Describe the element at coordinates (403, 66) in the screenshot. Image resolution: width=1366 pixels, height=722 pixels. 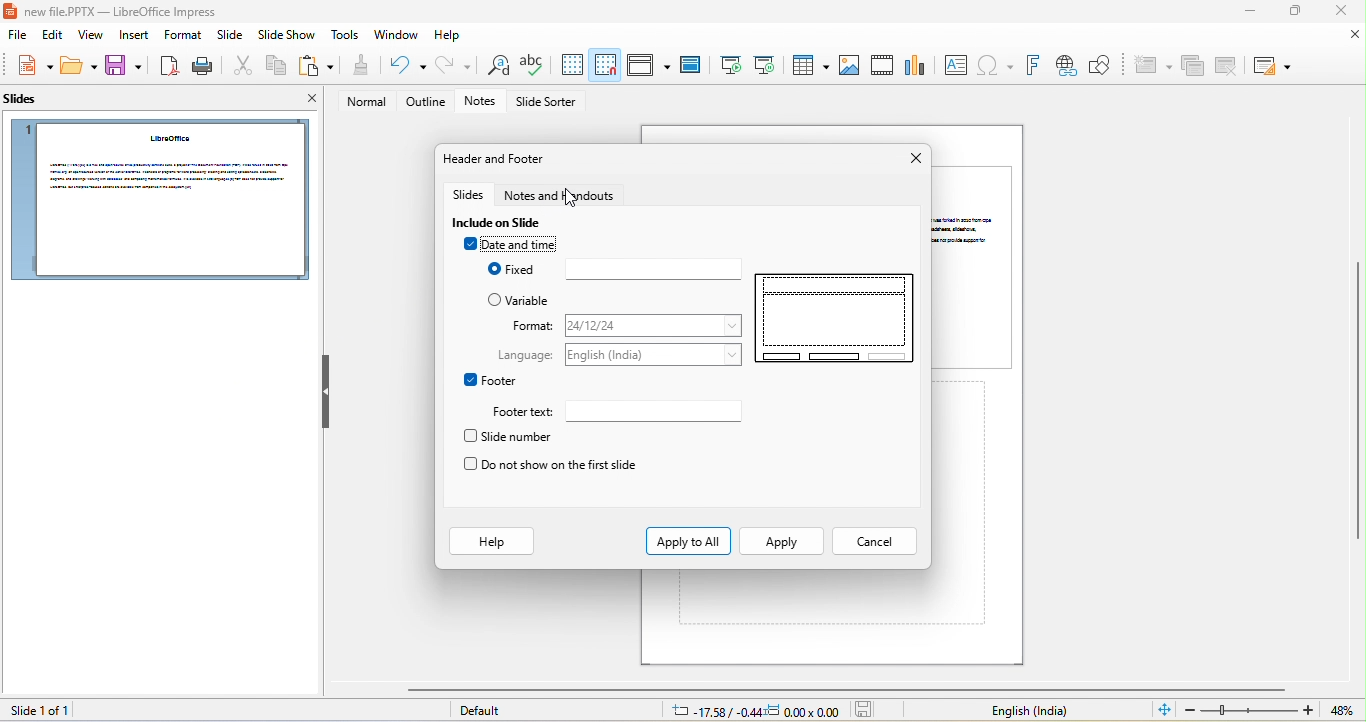
I see `undo` at that location.